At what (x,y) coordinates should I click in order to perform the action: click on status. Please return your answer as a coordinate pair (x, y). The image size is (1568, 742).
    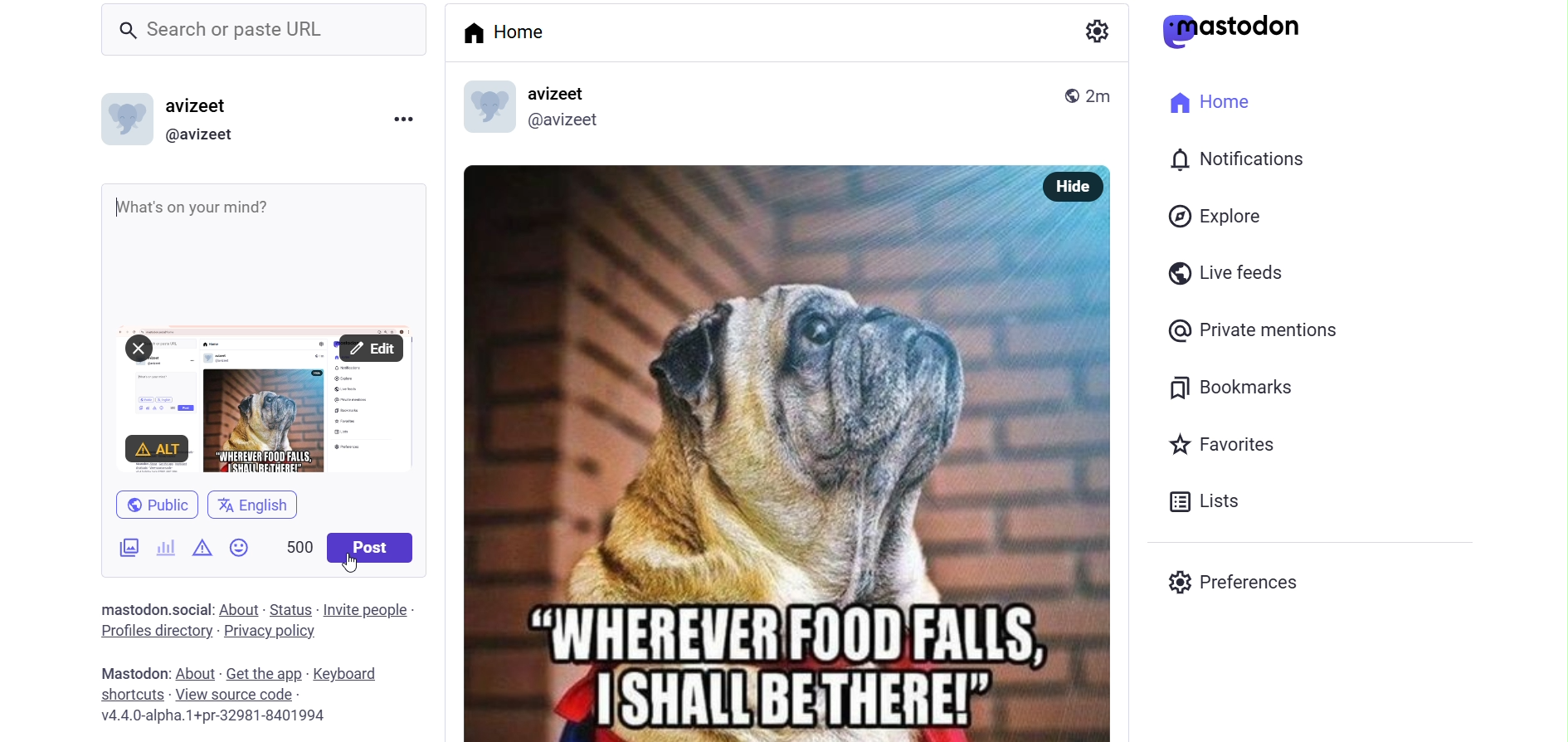
    Looking at the image, I should click on (289, 608).